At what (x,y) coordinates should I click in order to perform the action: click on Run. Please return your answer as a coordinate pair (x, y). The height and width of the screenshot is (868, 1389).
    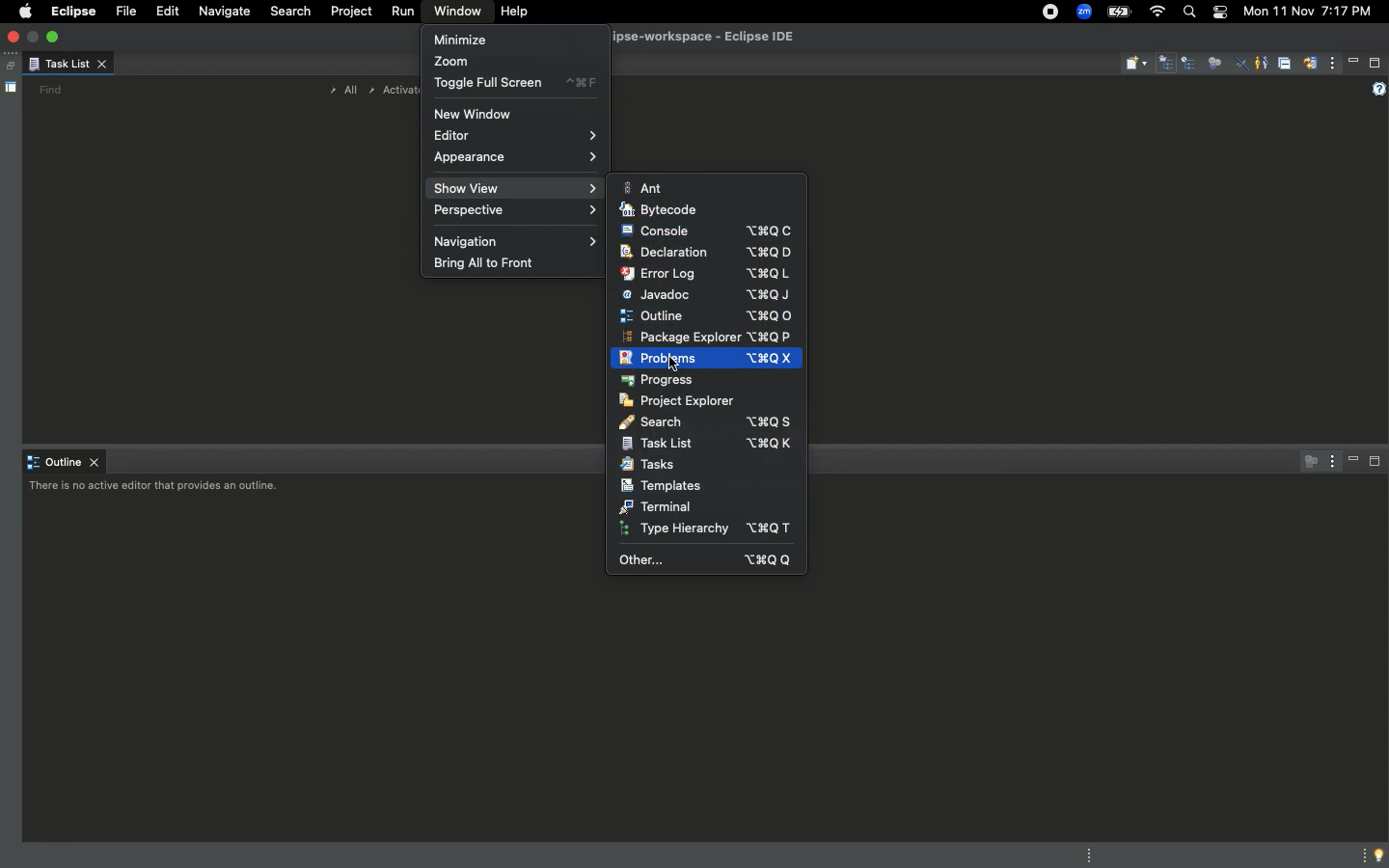
    Looking at the image, I should click on (400, 13).